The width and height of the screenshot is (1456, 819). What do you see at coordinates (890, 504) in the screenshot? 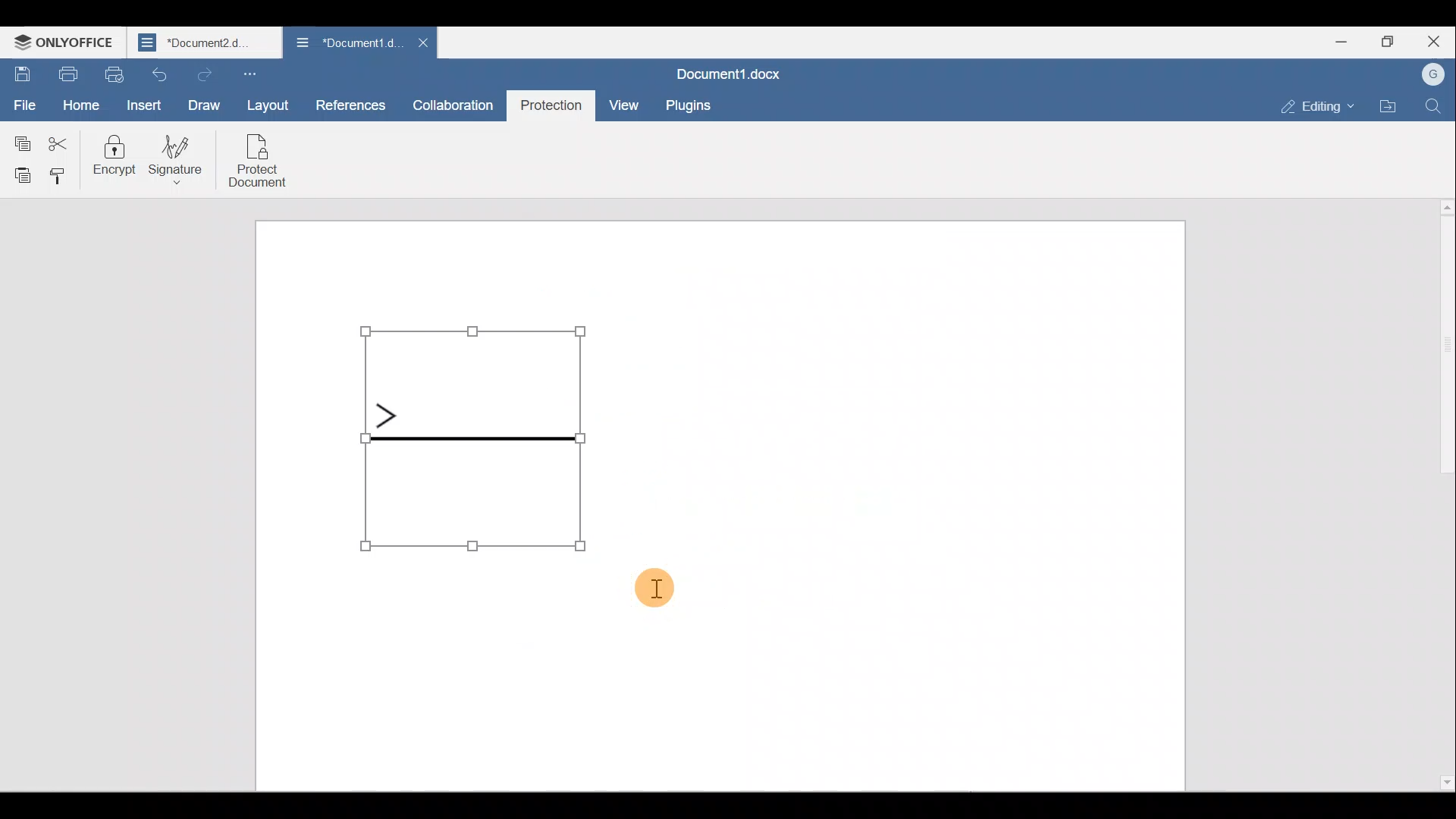
I see `Working area` at bounding box center [890, 504].